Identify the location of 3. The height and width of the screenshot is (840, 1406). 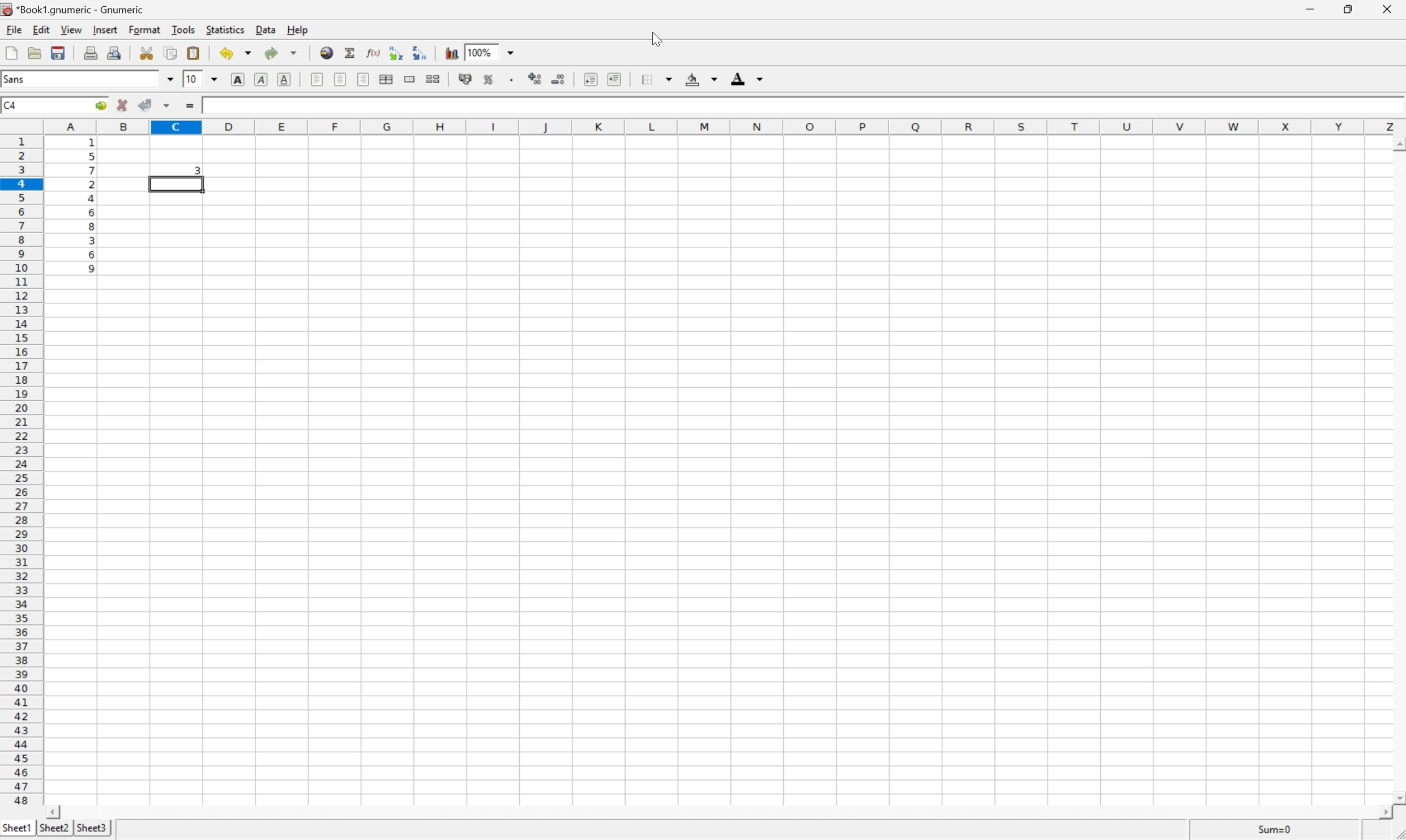
(197, 169).